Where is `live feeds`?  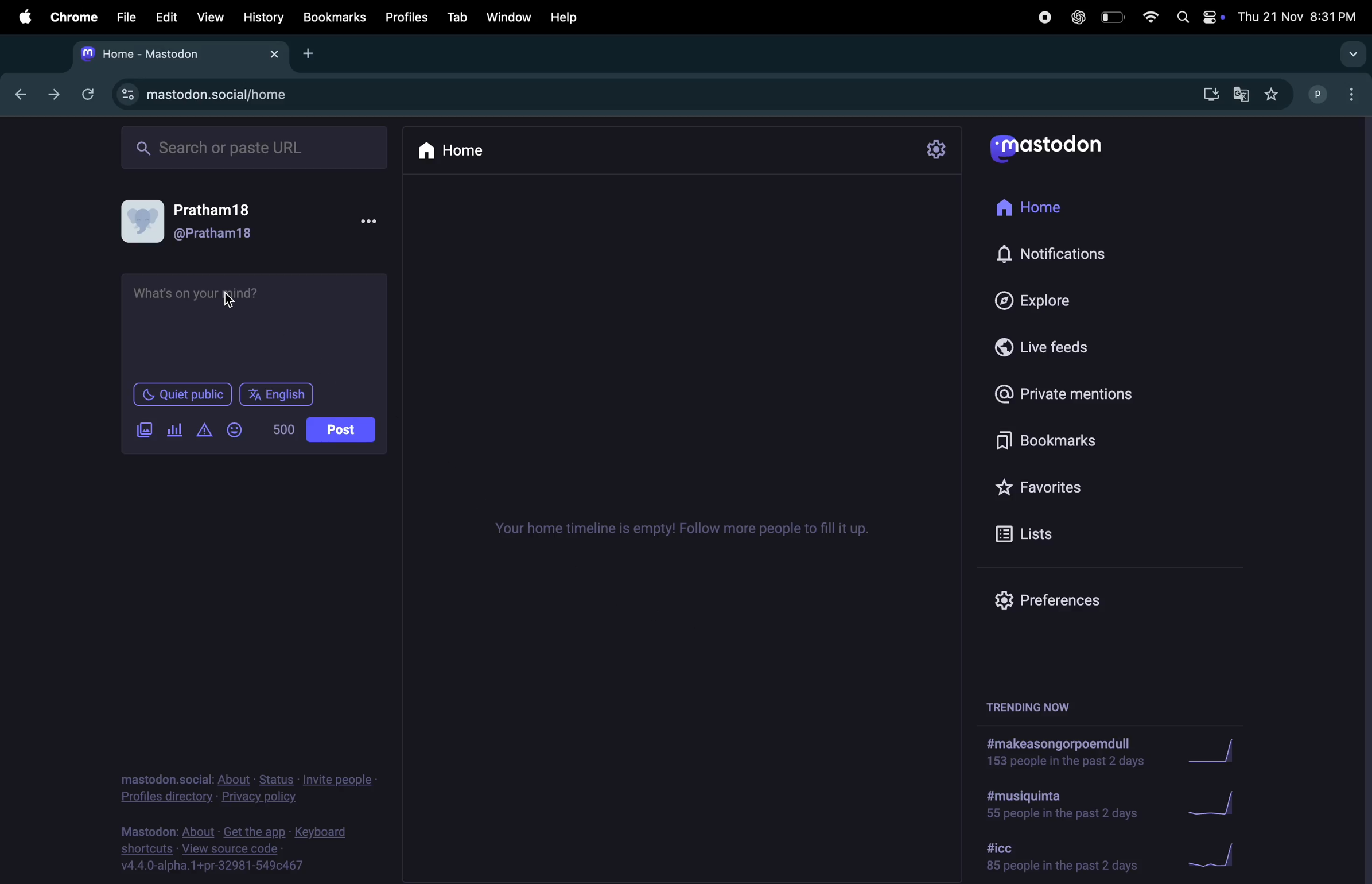 live feeds is located at coordinates (1055, 350).